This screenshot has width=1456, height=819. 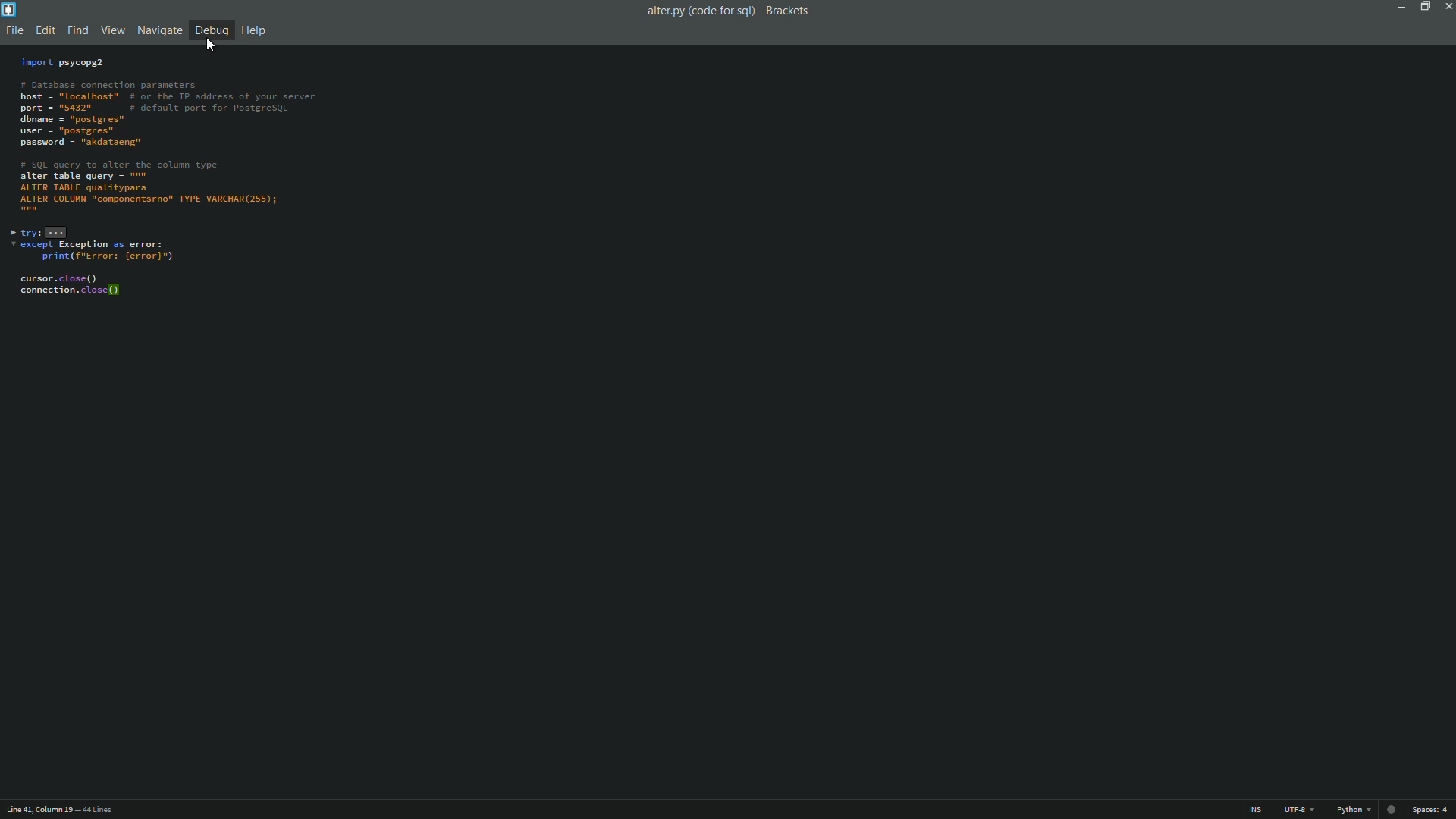 I want to click on App icon, so click(x=11, y=10).